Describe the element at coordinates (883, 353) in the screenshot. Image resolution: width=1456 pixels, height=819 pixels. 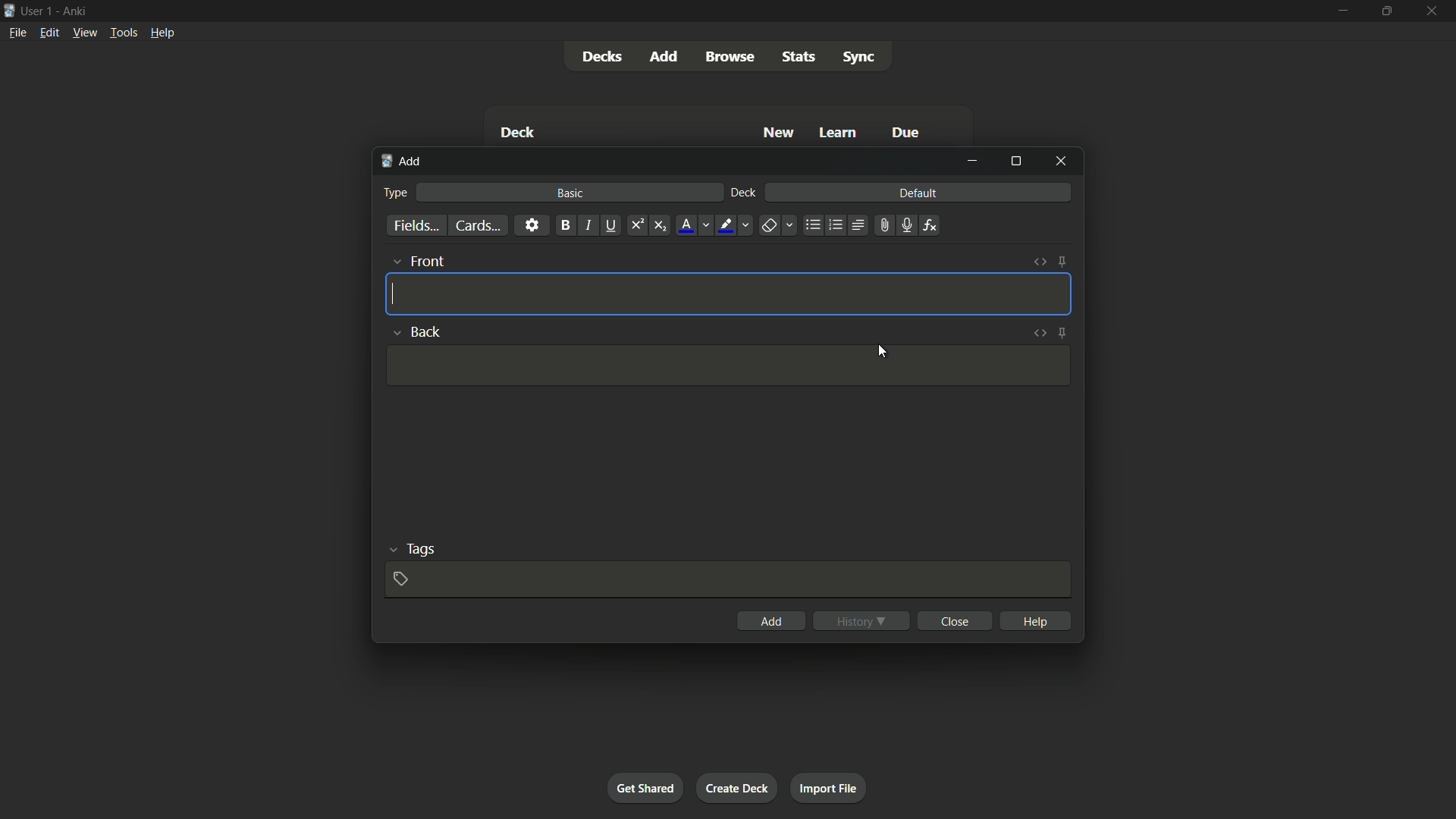
I see `cursor` at that location.